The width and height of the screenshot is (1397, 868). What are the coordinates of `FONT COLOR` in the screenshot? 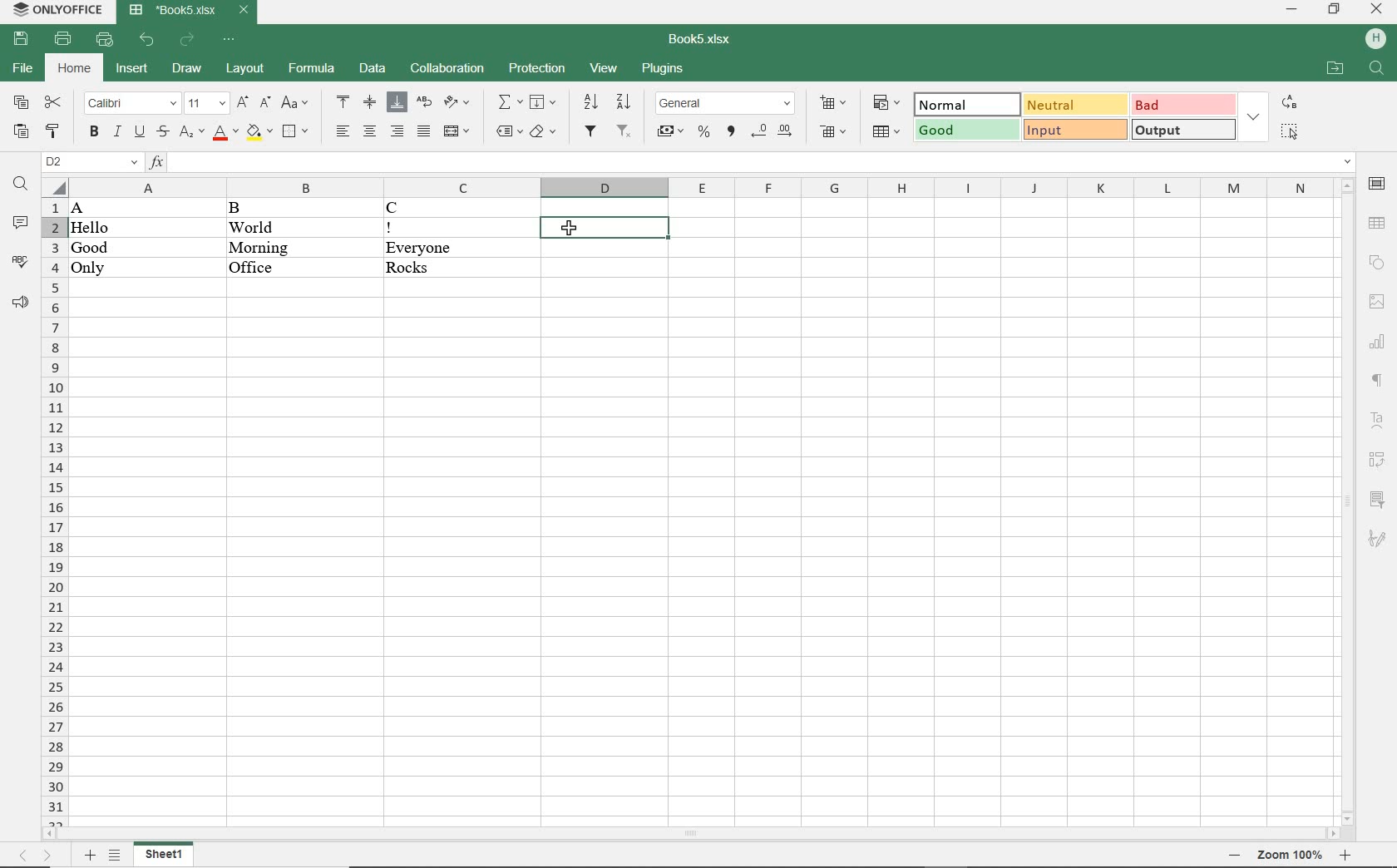 It's located at (225, 136).